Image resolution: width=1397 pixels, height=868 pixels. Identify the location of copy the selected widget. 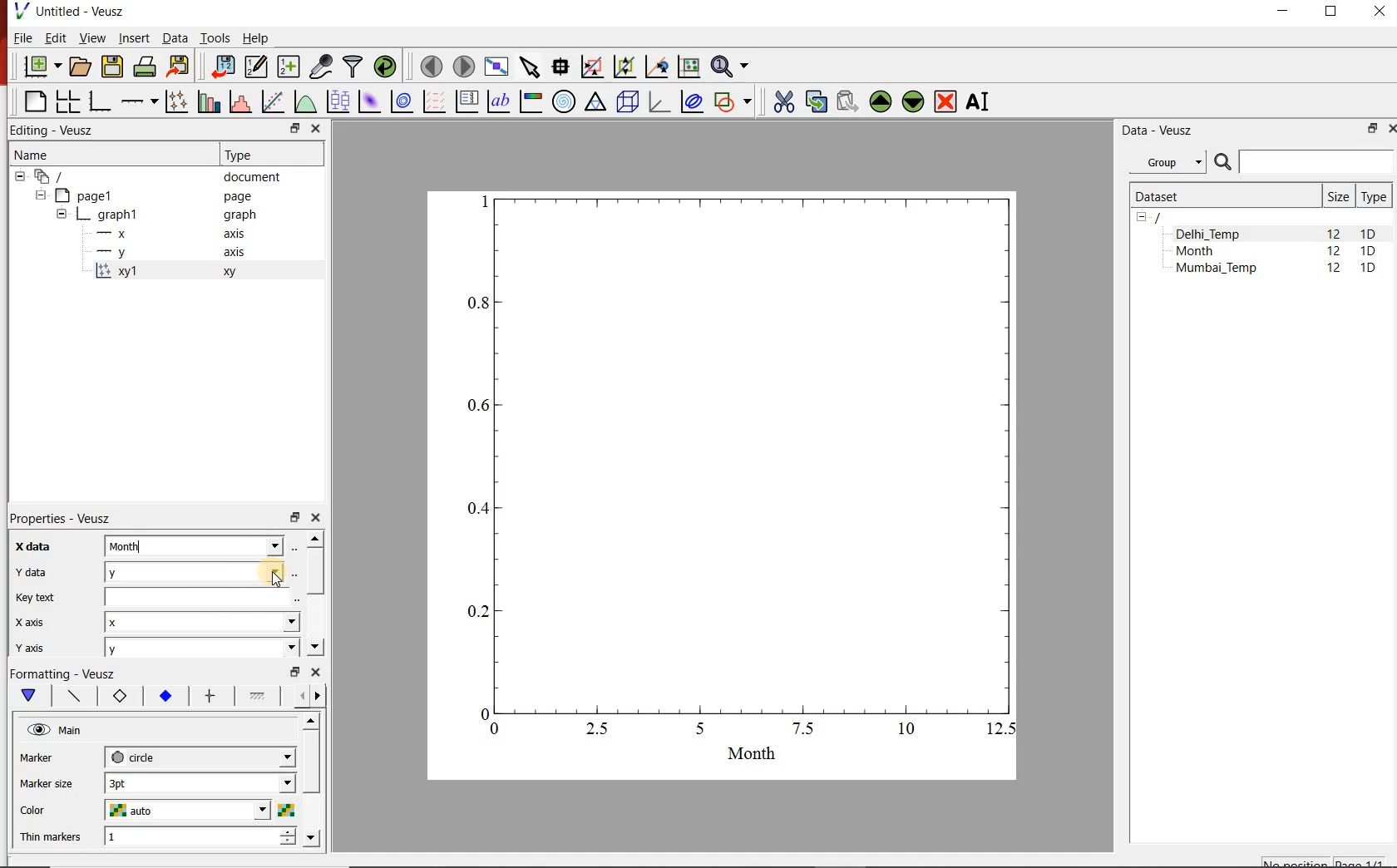
(814, 101).